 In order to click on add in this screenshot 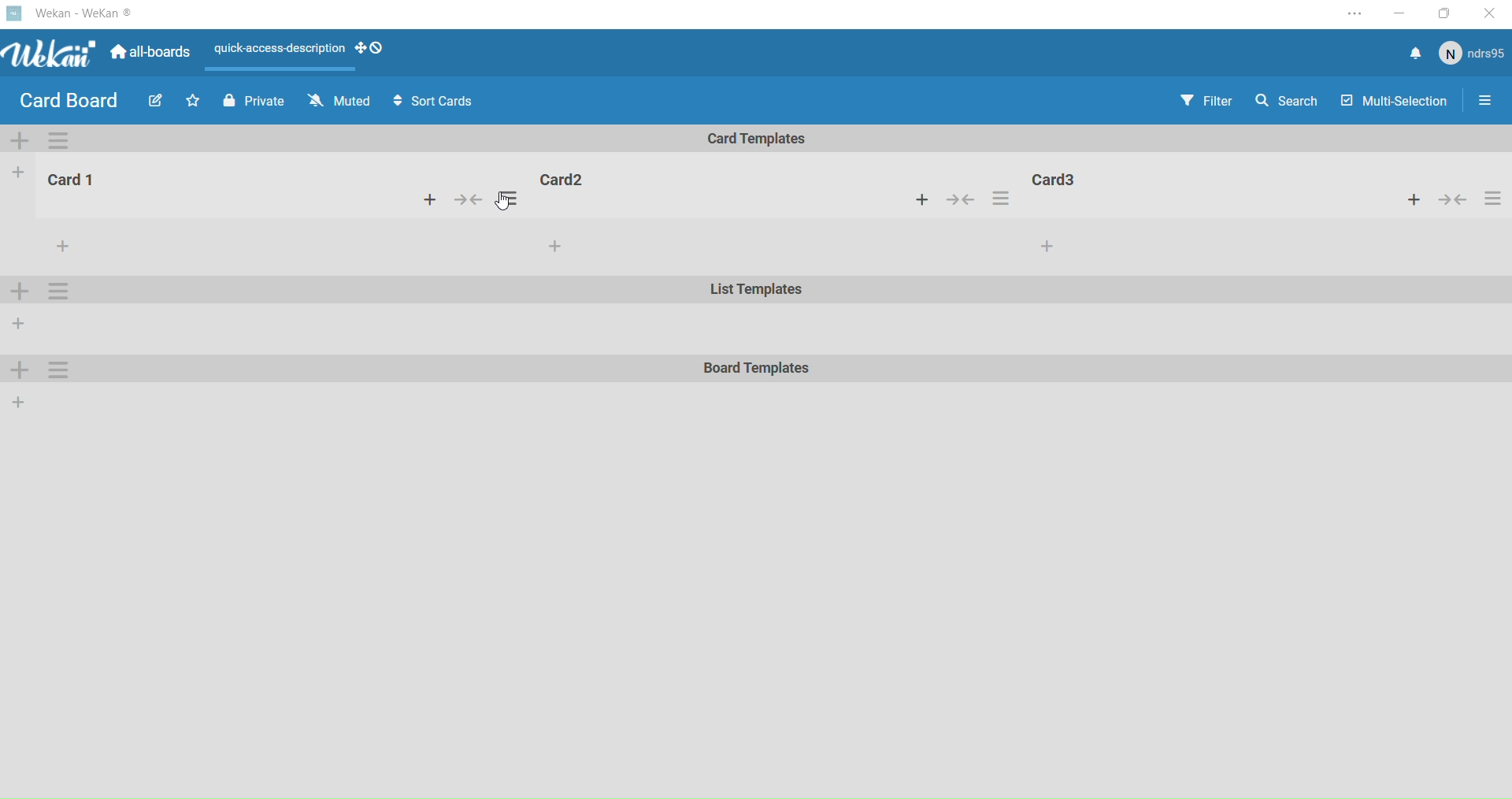, I will do `click(21, 324)`.